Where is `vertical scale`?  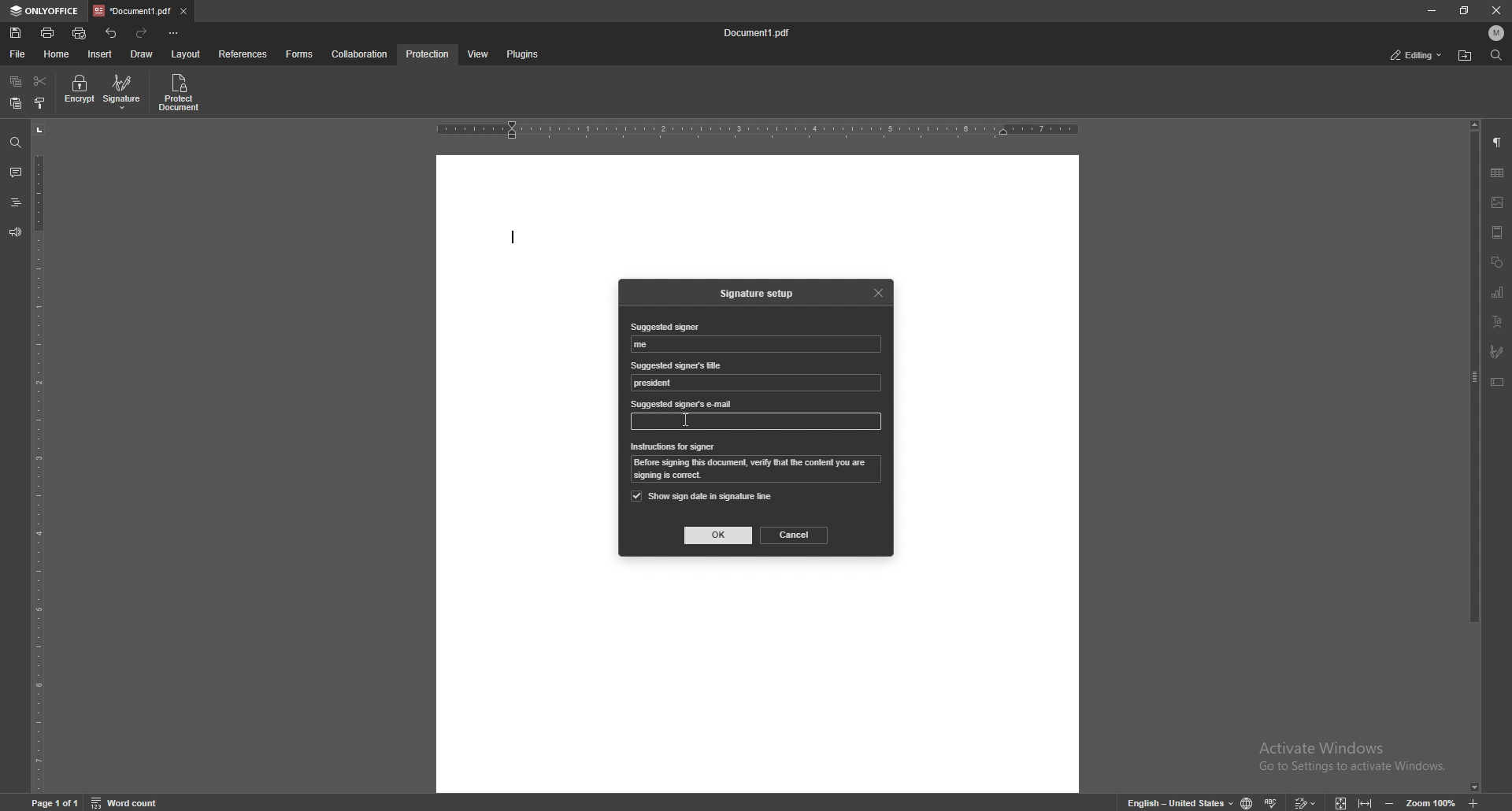 vertical scale is located at coordinates (39, 457).